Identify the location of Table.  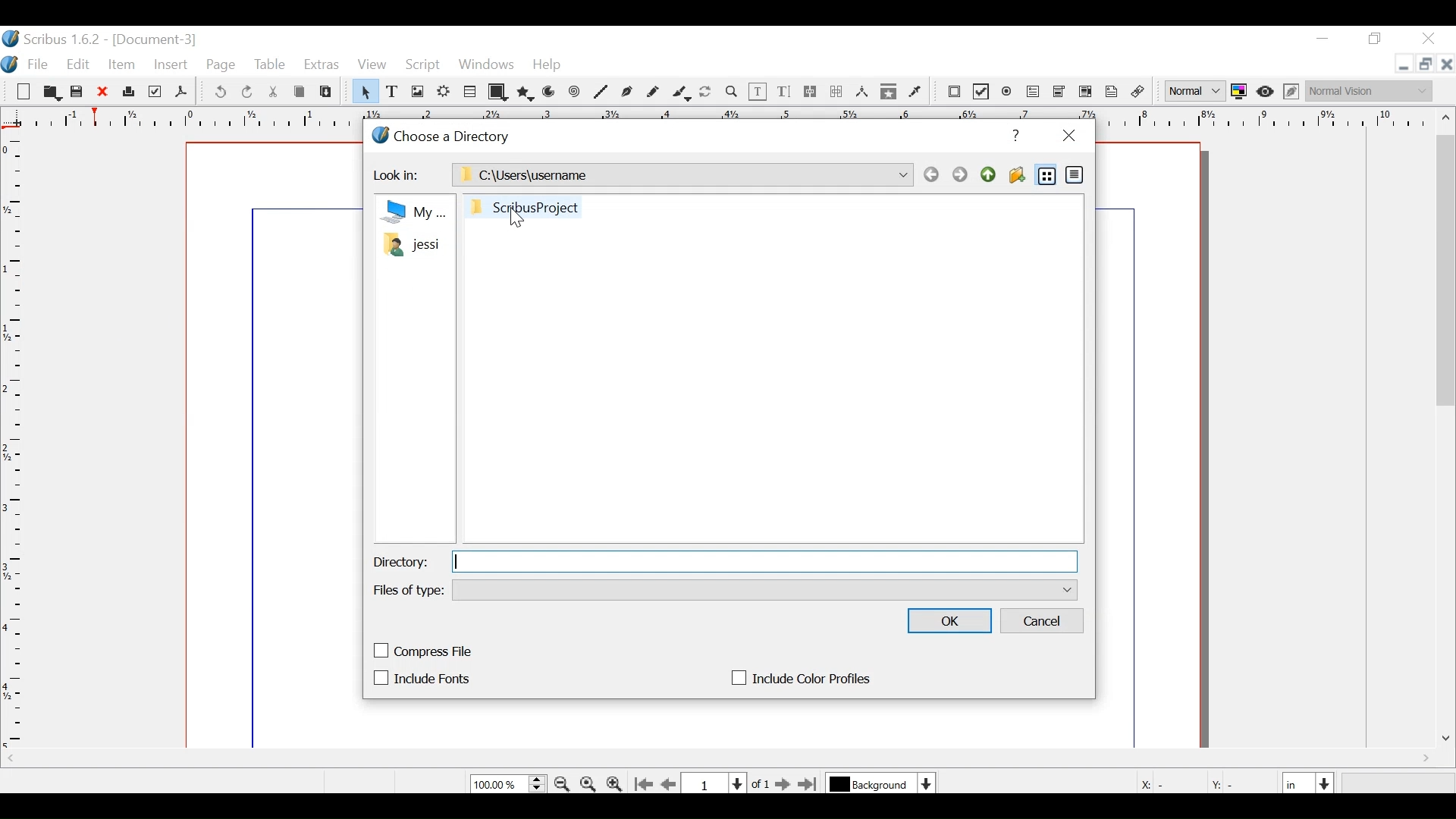
(471, 91).